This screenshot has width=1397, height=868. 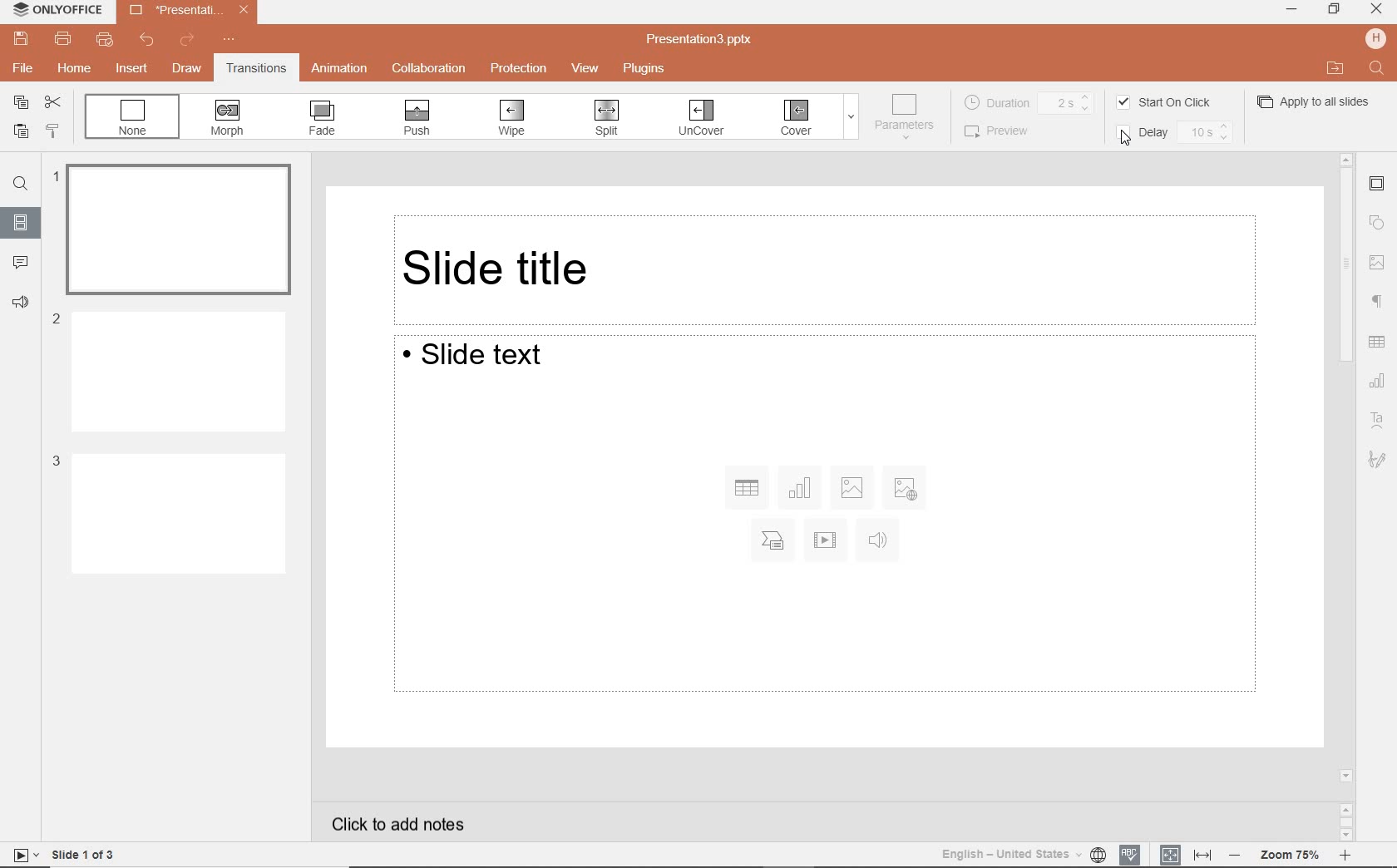 What do you see at coordinates (1377, 342) in the screenshot?
I see `table settings` at bounding box center [1377, 342].